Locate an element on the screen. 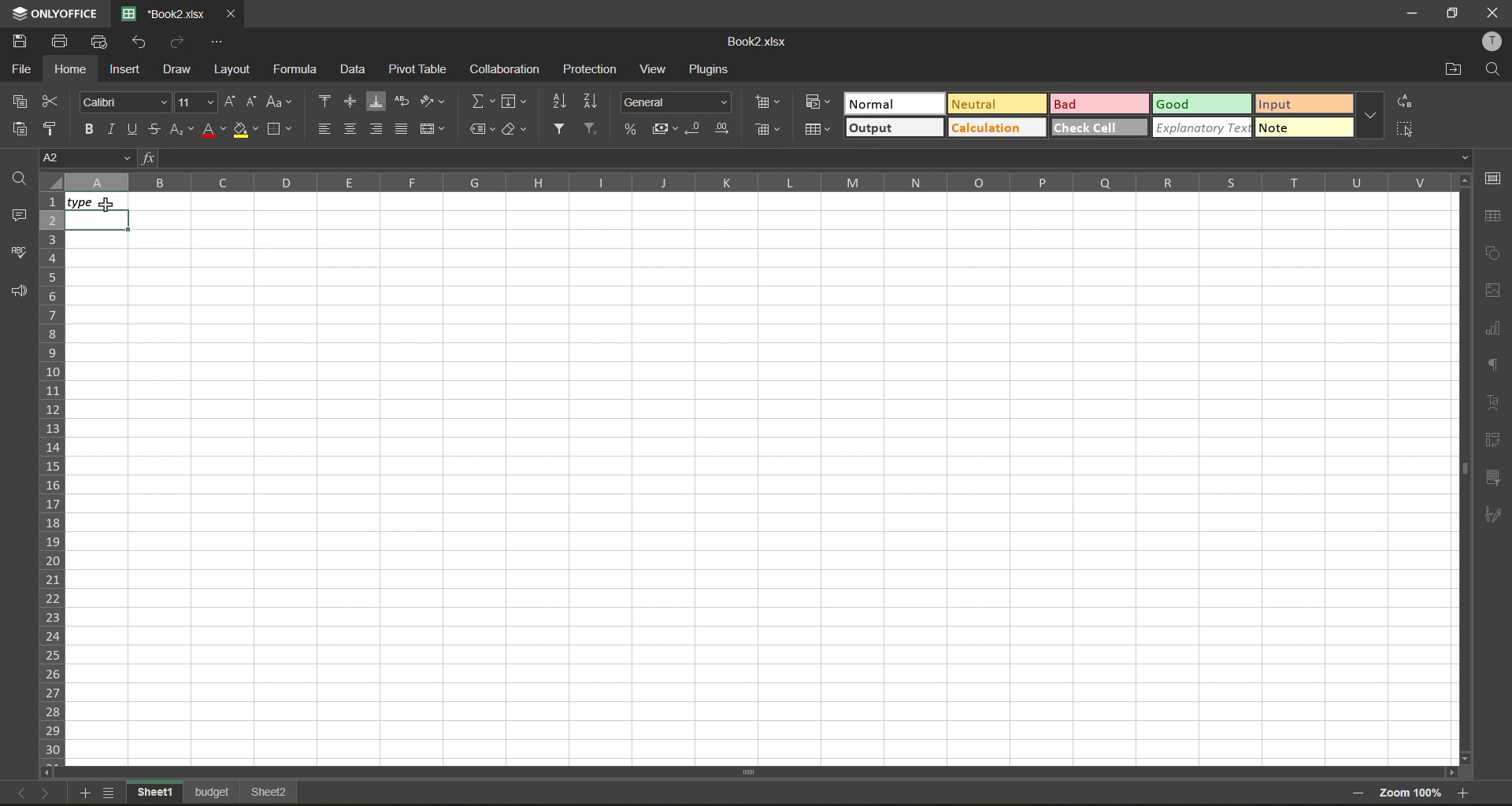 This screenshot has height=806, width=1512. cell address is located at coordinates (84, 157).